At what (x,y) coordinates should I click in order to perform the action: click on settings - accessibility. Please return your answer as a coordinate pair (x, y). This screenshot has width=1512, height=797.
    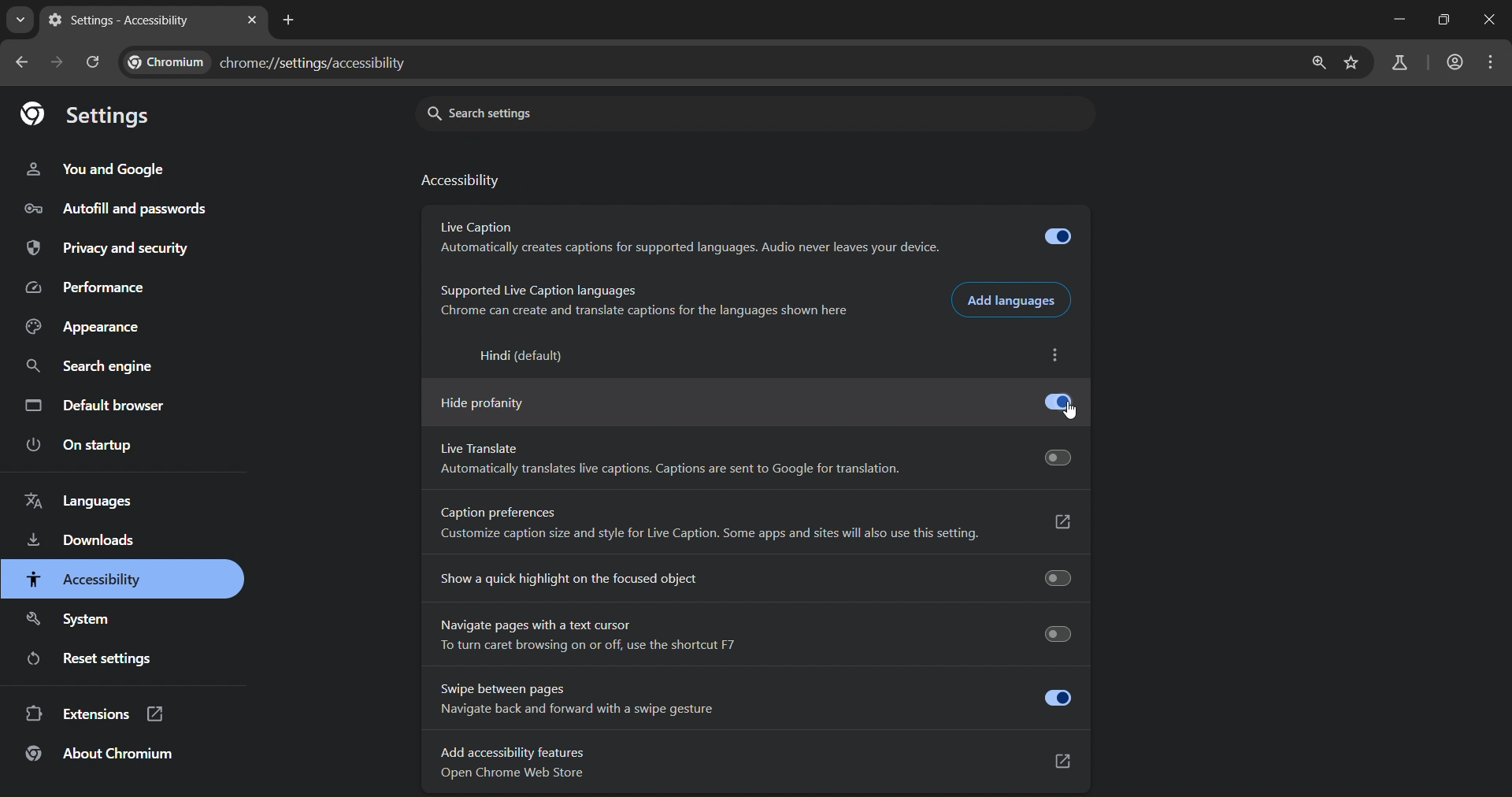
    Looking at the image, I should click on (128, 23).